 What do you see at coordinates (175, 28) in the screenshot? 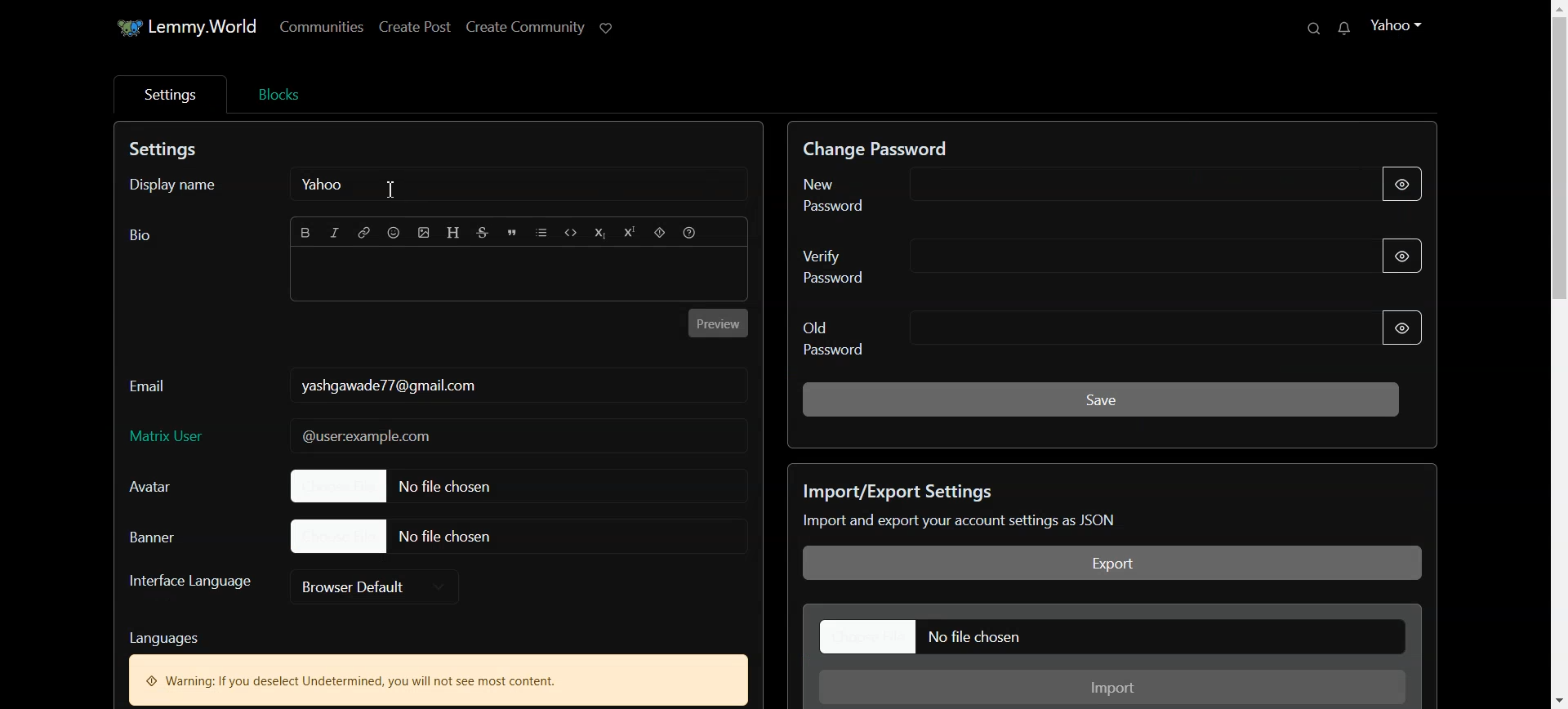
I see `Lemmy. World` at bounding box center [175, 28].